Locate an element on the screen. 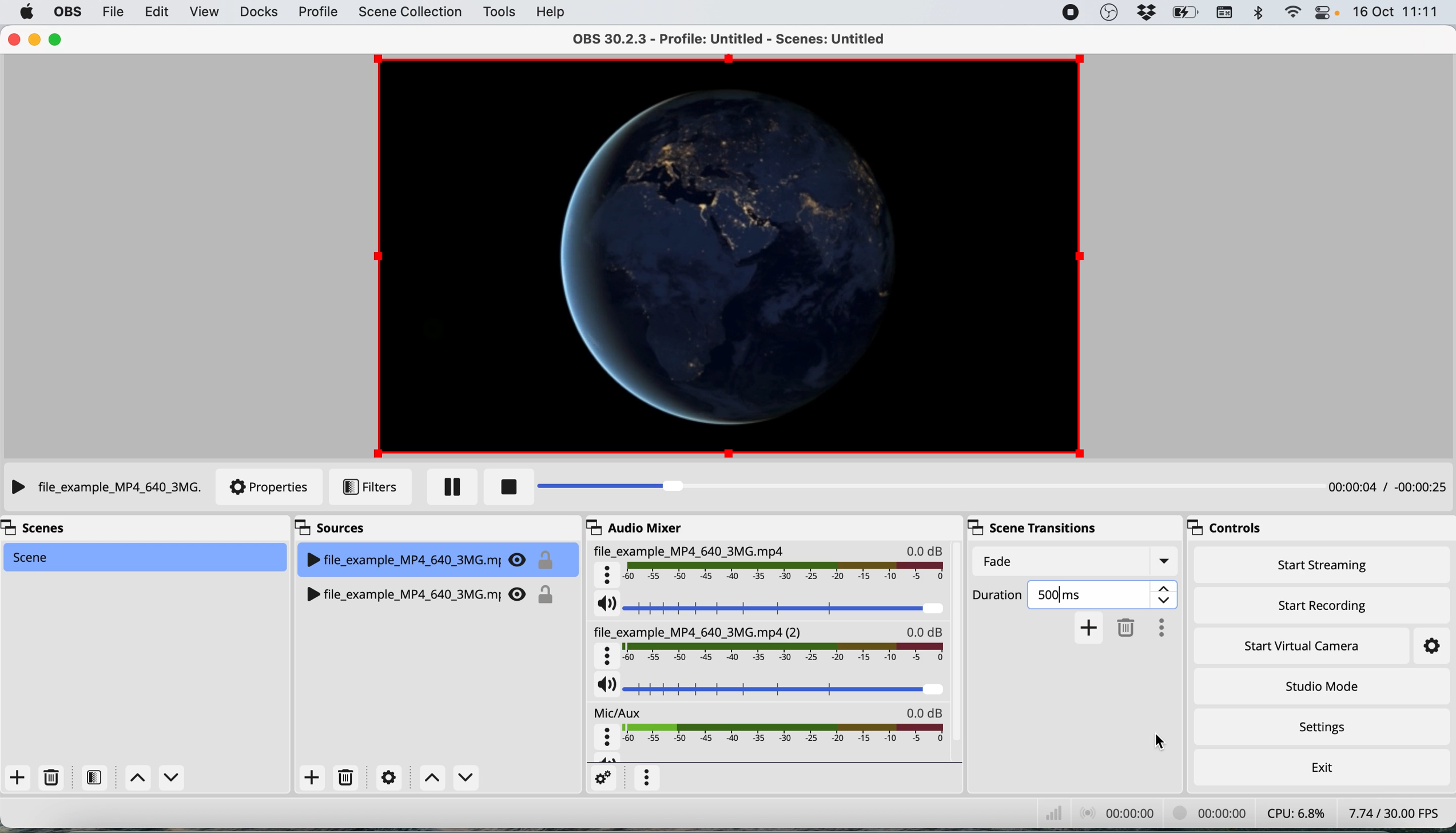 This screenshot has width=1456, height=833. start streaming is located at coordinates (1327, 567).